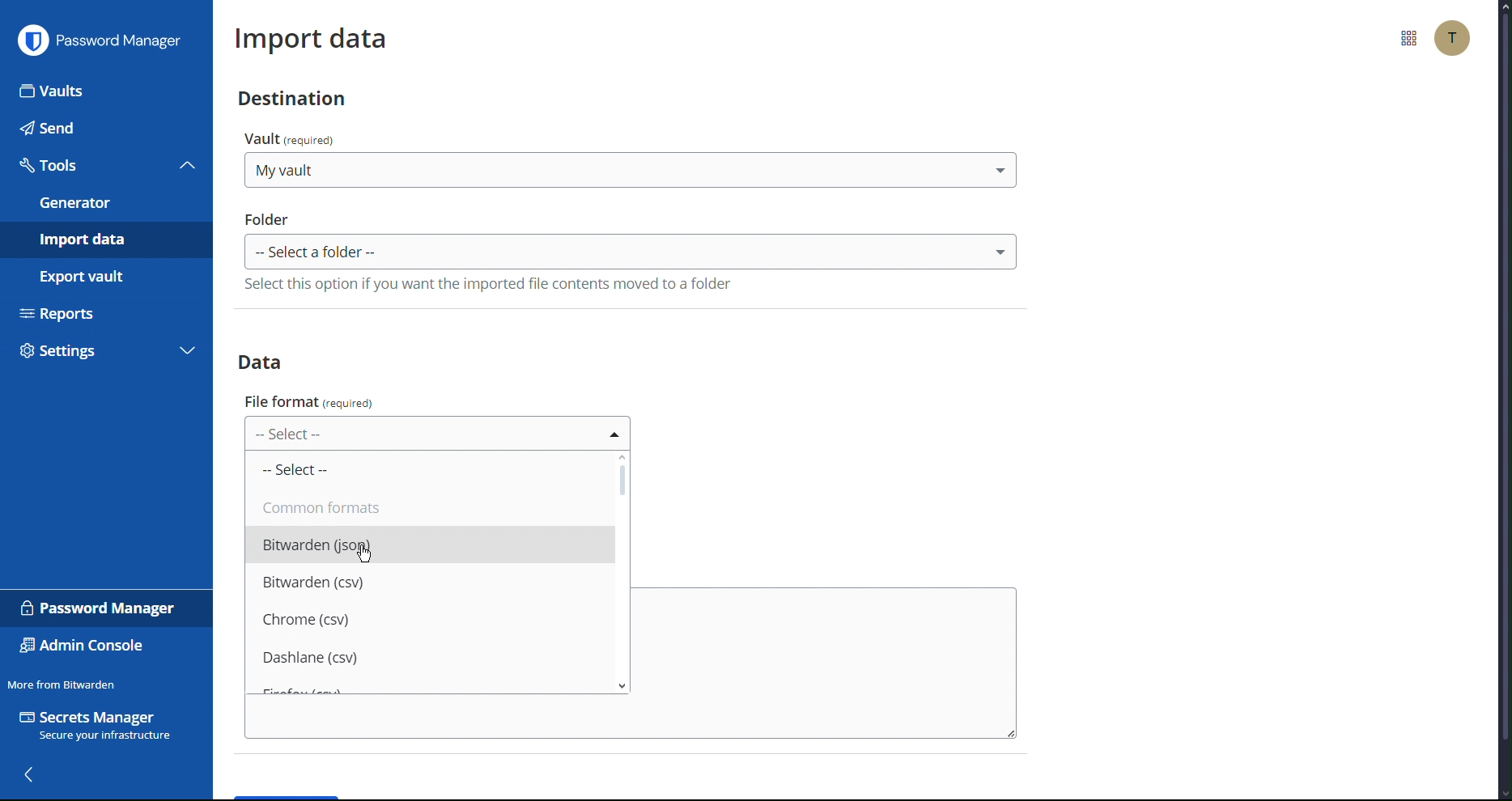 This screenshot has height=801, width=1512. What do you see at coordinates (104, 128) in the screenshot?
I see `Send` at bounding box center [104, 128].